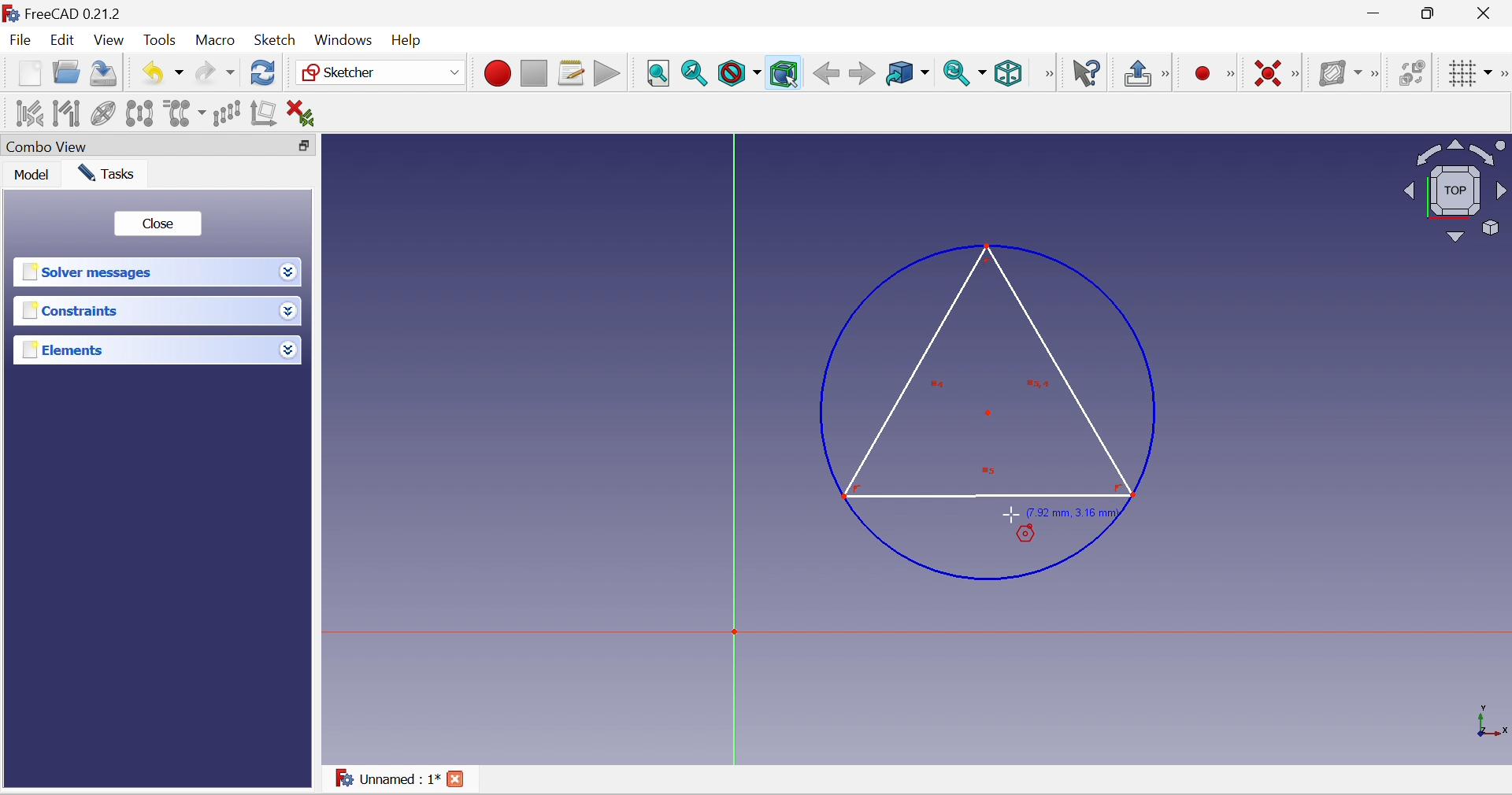 The height and width of the screenshot is (795, 1512). What do you see at coordinates (263, 74) in the screenshot?
I see `Refresh` at bounding box center [263, 74].